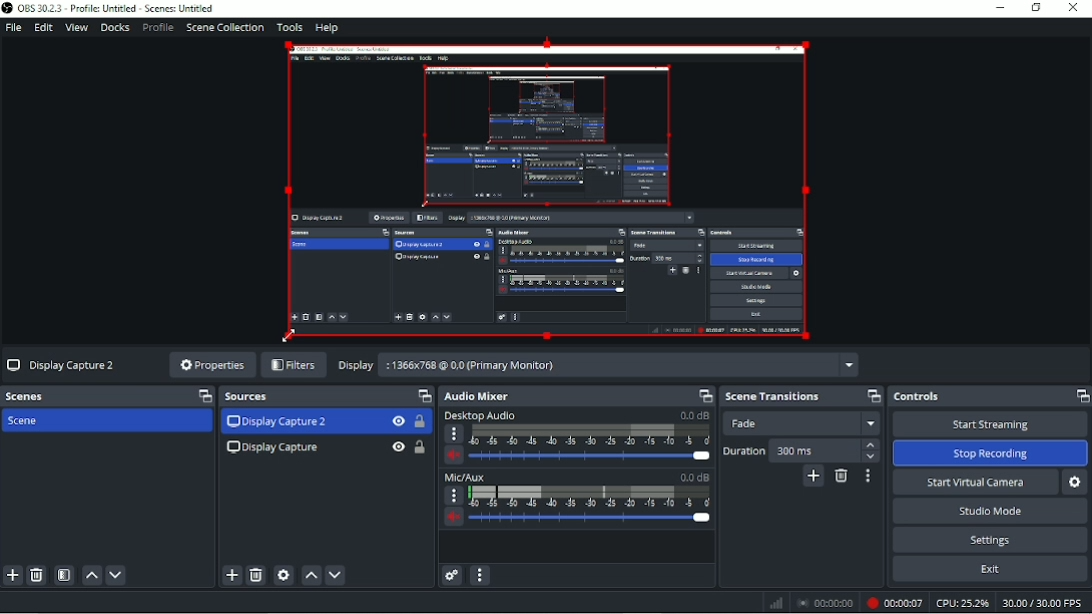 The height and width of the screenshot is (614, 1092). What do you see at coordinates (1074, 9) in the screenshot?
I see `Close` at bounding box center [1074, 9].